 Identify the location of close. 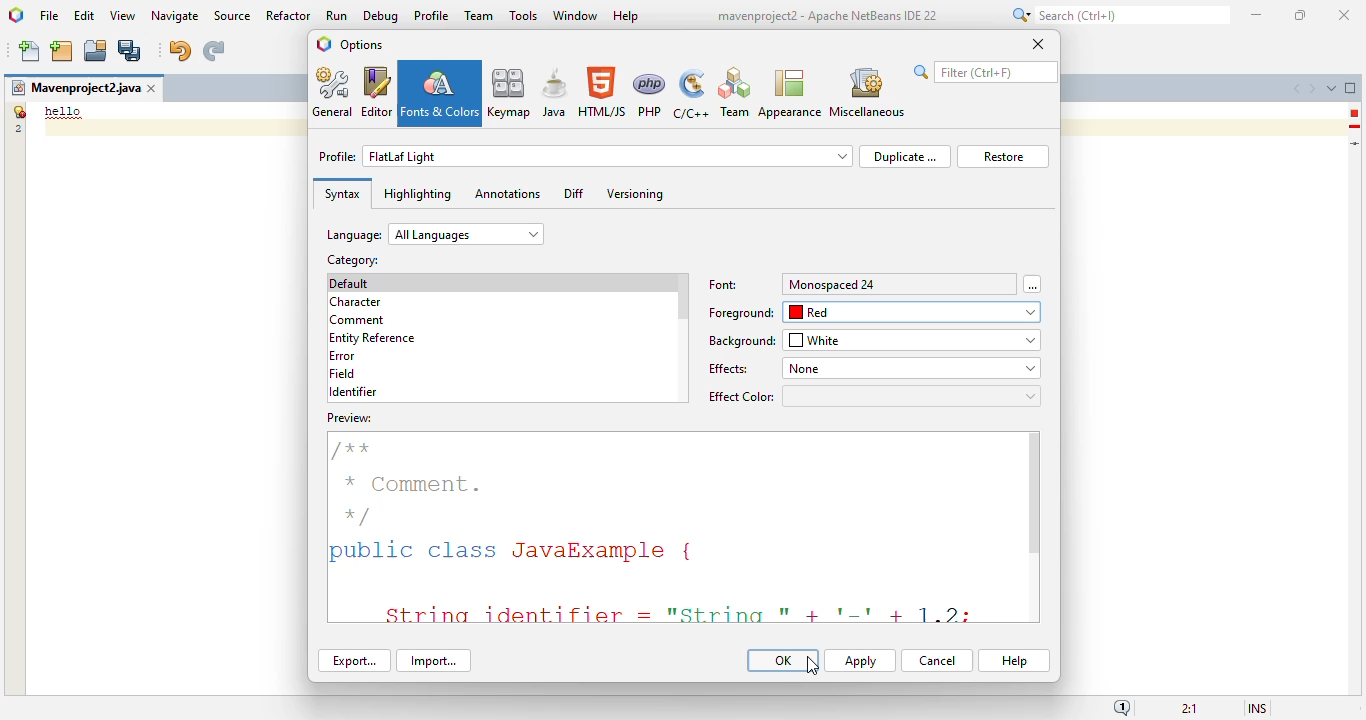
(1038, 43).